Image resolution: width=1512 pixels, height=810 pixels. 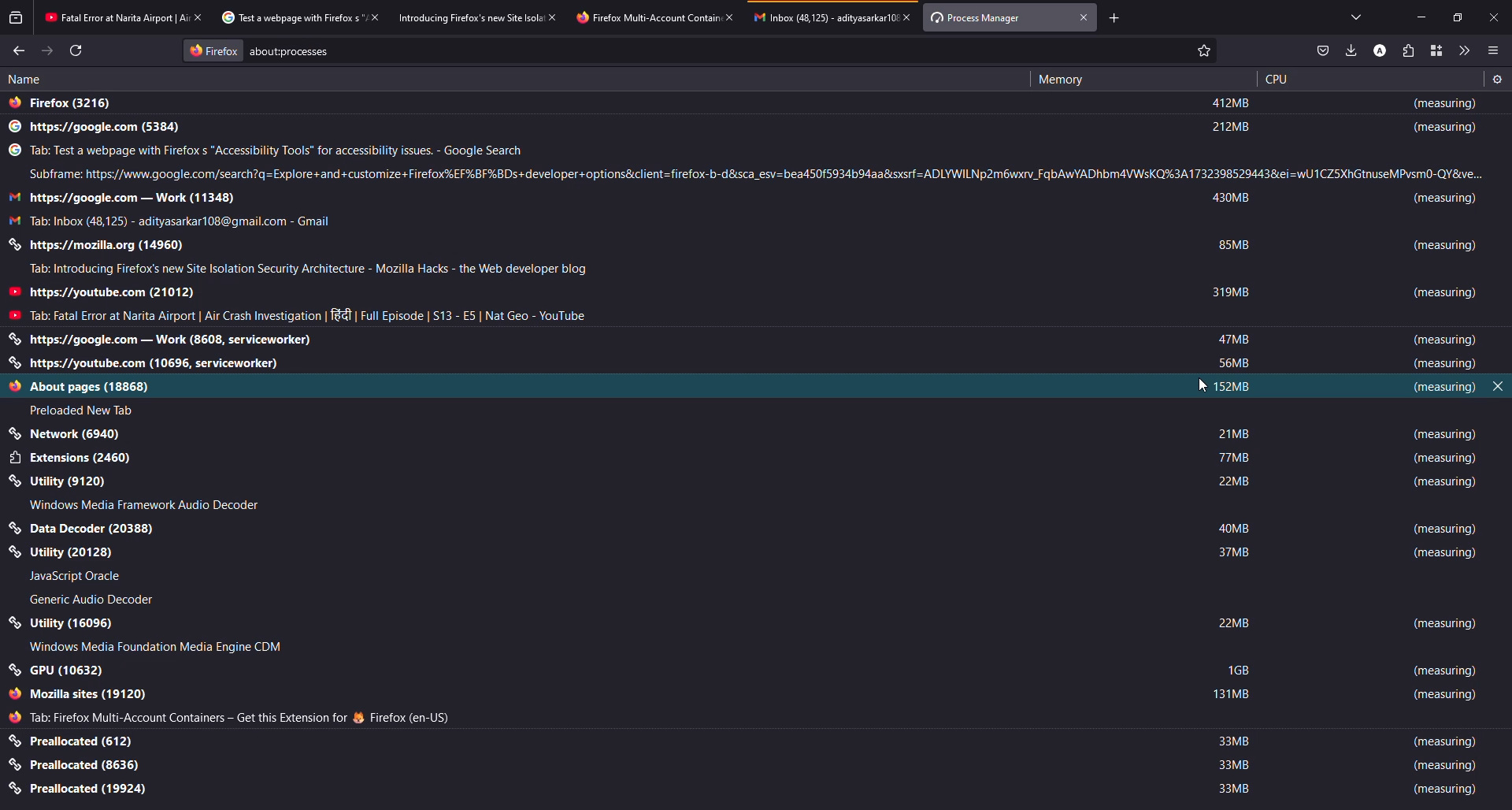 What do you see at coordinates (213, 51) in the screenshot?
I see `firefox` at bounding box center [213, 51].